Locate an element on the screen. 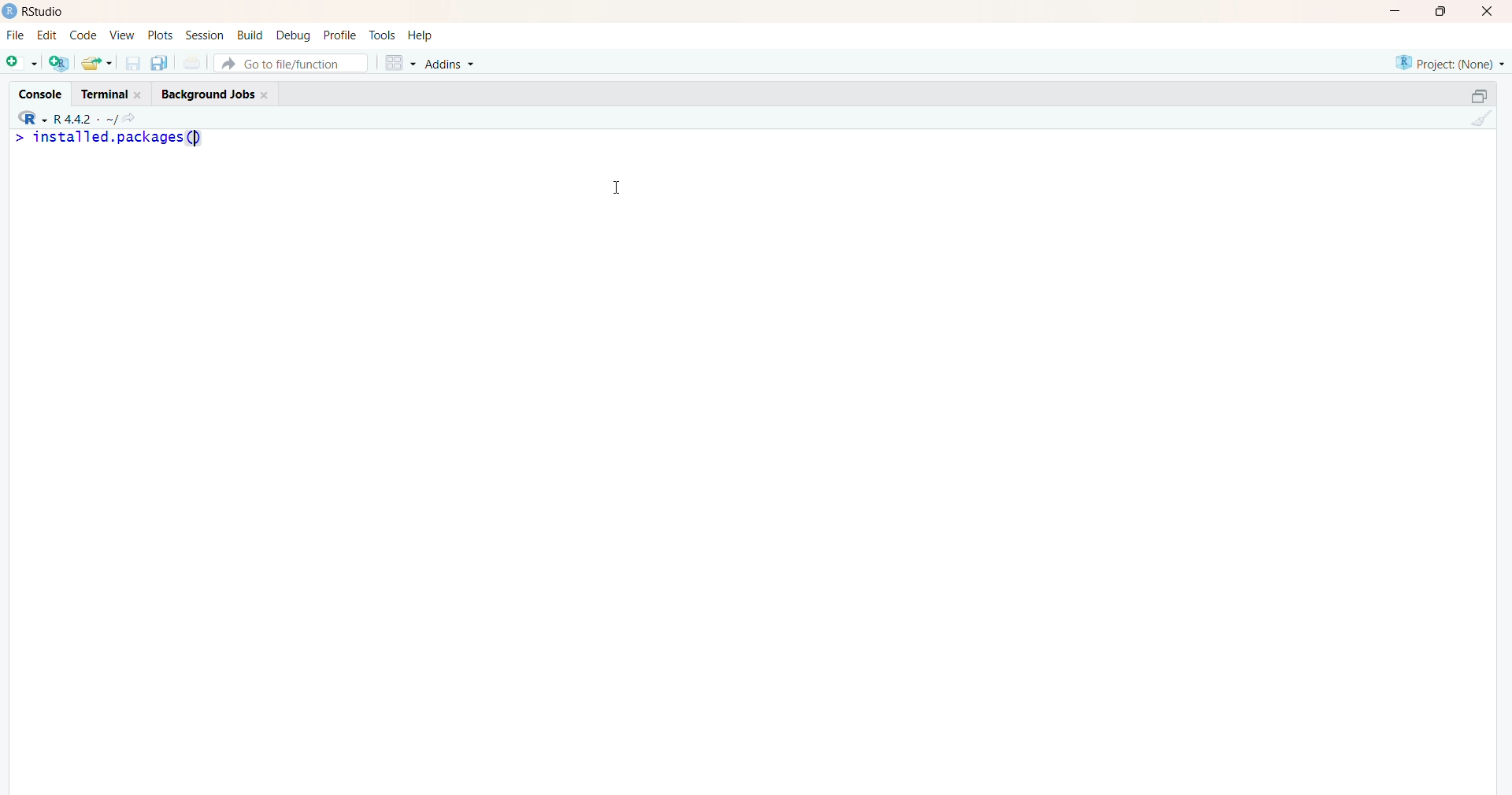  save current document is located at coordinates (133, 65).